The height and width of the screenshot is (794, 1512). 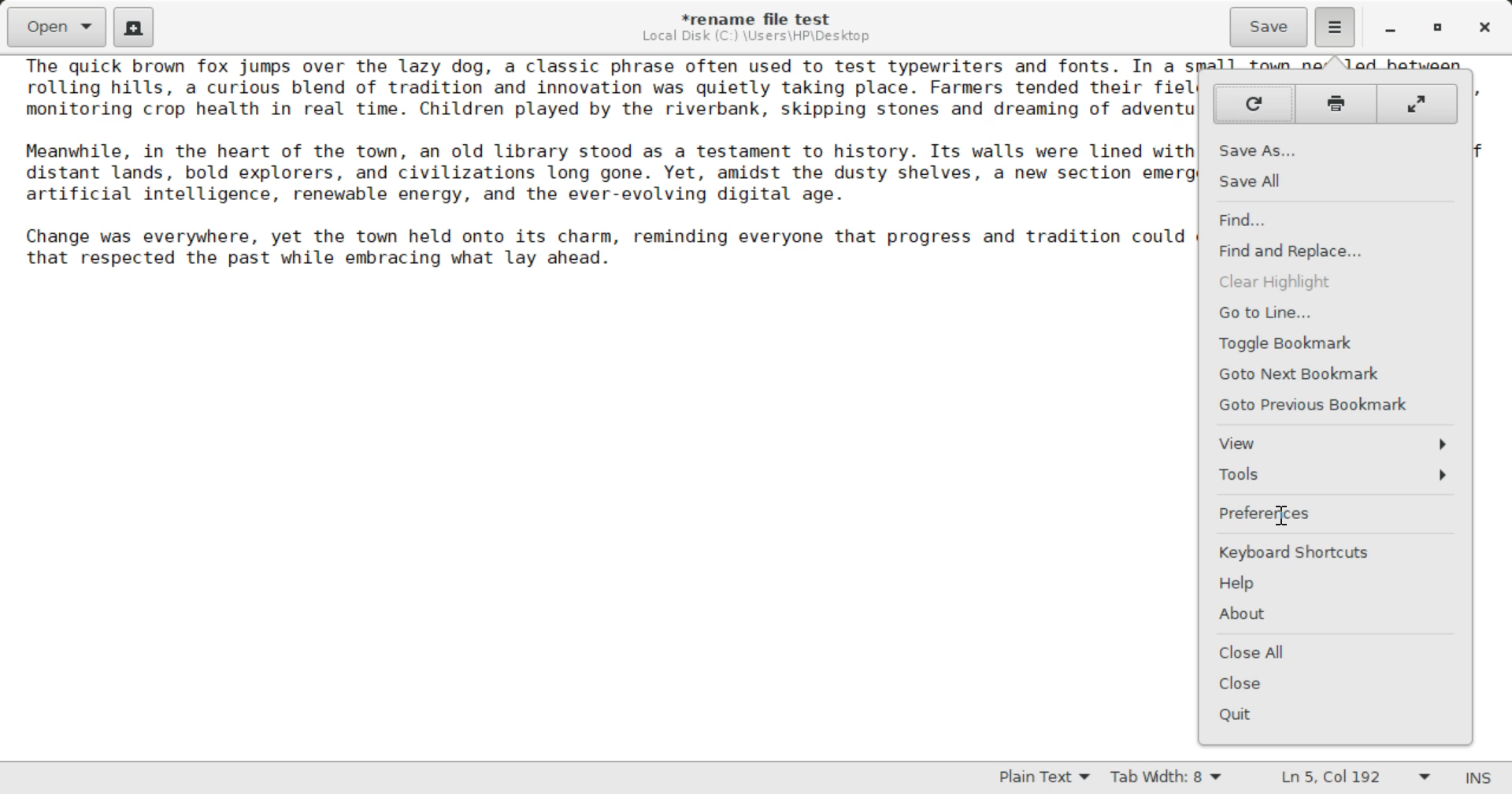 I want to click on File Location, so click(x=756, y=36).